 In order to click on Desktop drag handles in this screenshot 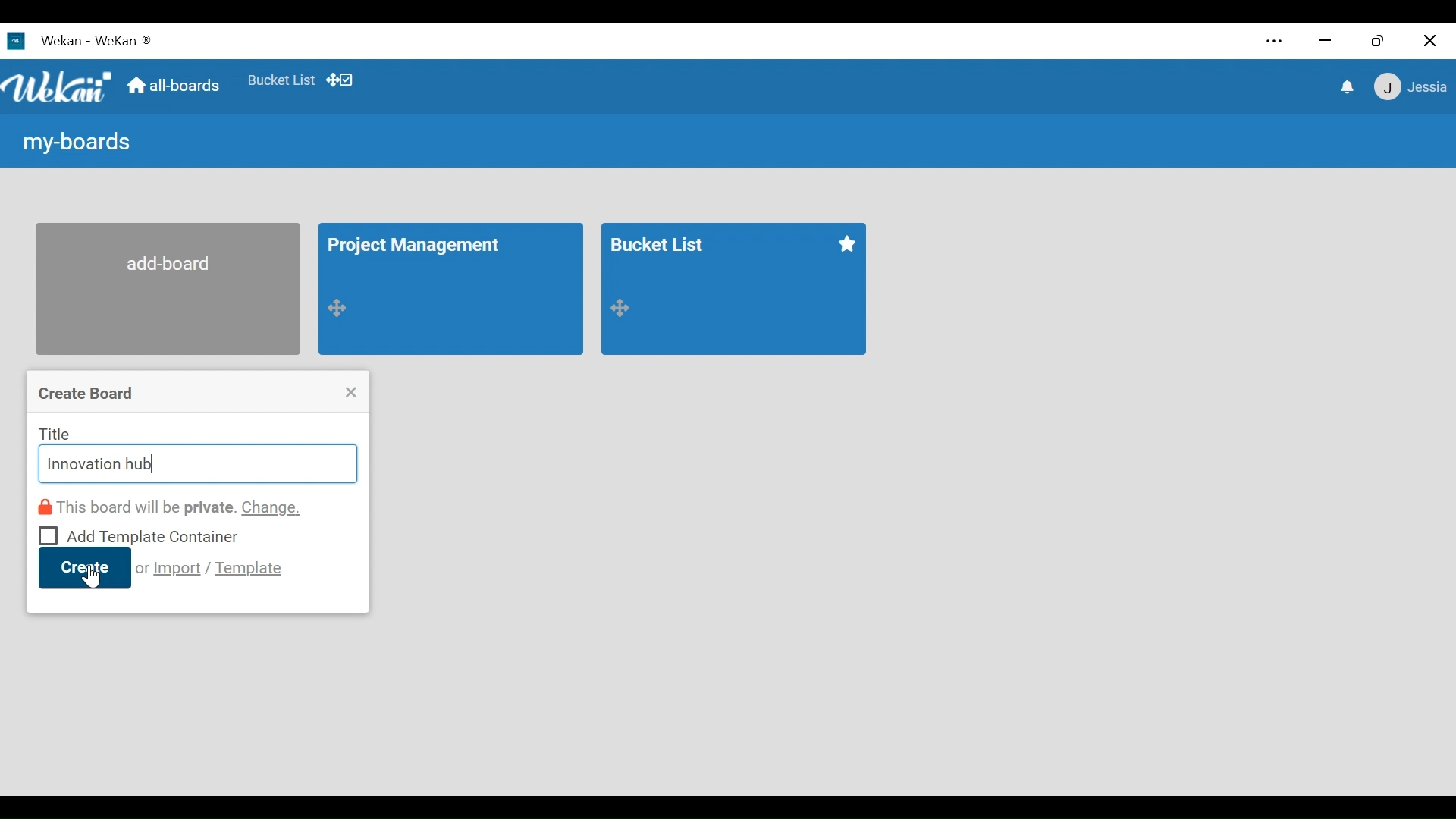, I will do `click(339, 80)`.